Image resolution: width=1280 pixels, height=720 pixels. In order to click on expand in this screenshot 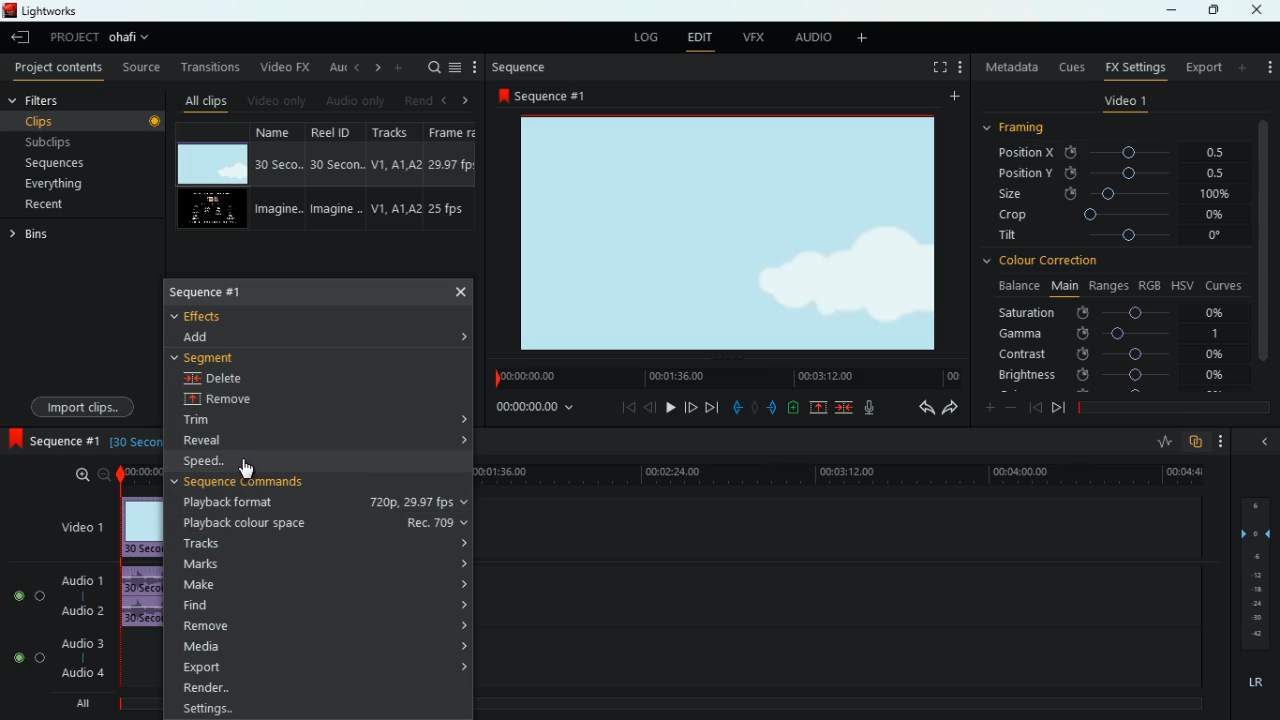, I will do `click(462, 584)`.